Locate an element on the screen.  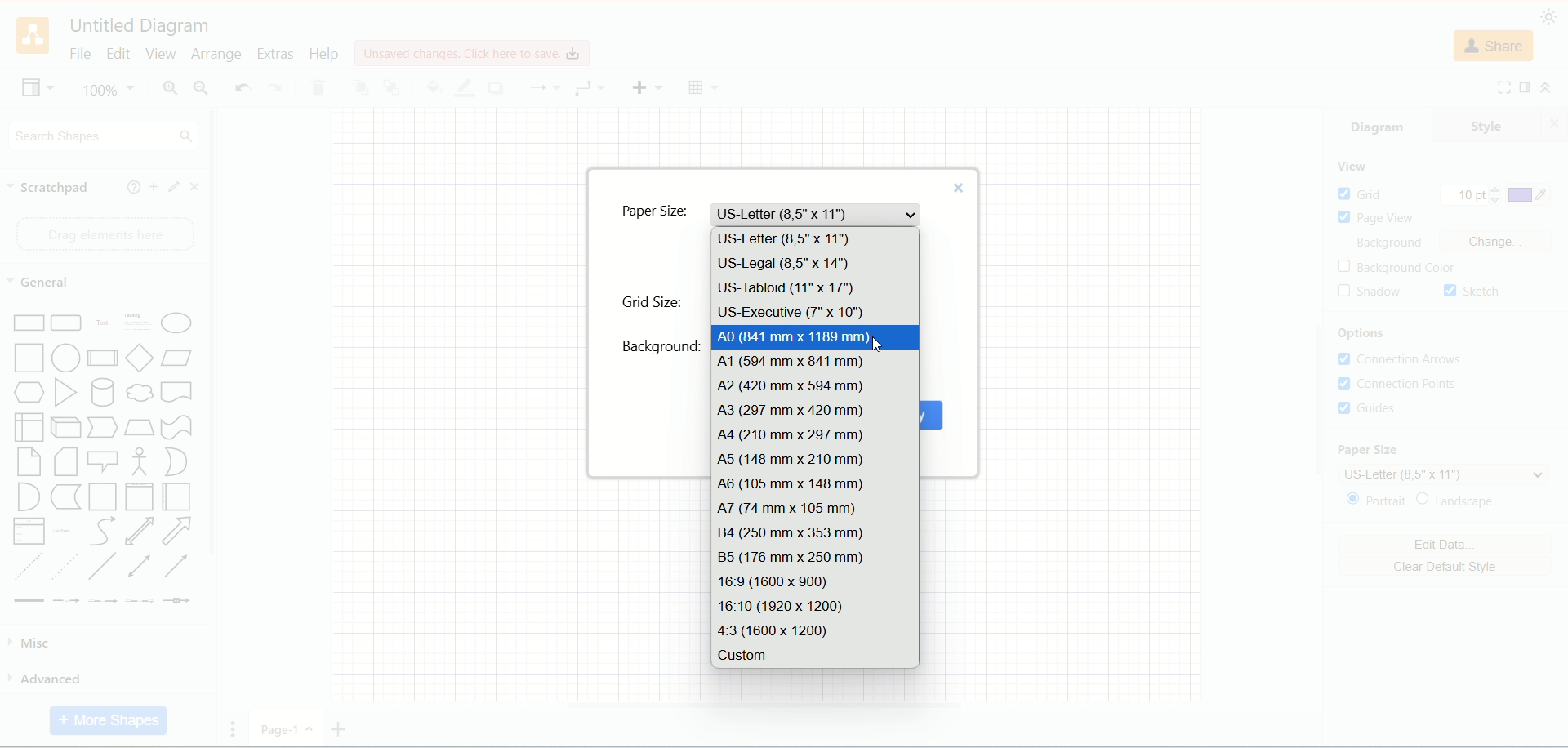
view is located at coordinates (35, 90).